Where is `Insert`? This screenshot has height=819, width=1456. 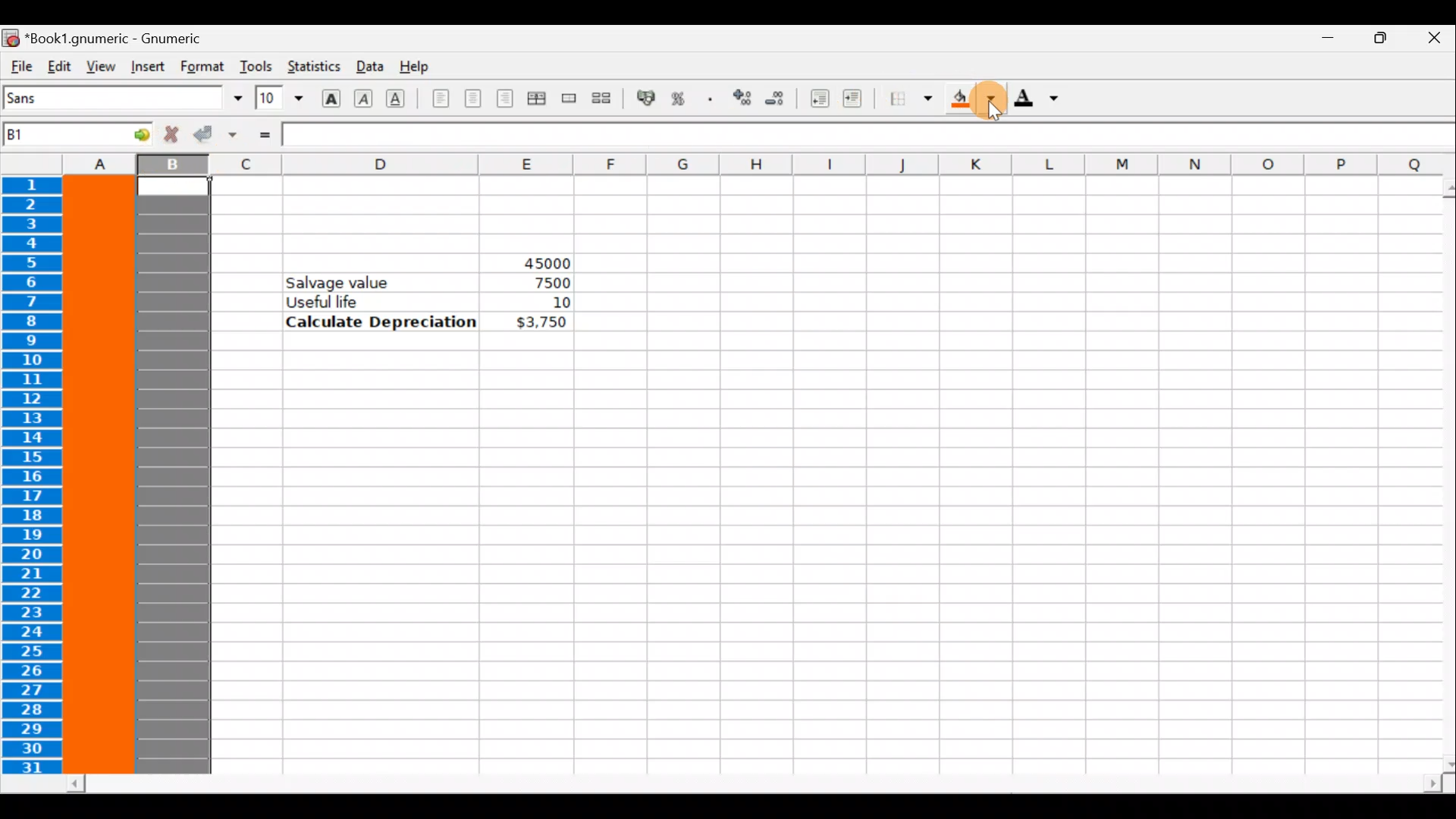
Insert is located at coordinates (147, 67).